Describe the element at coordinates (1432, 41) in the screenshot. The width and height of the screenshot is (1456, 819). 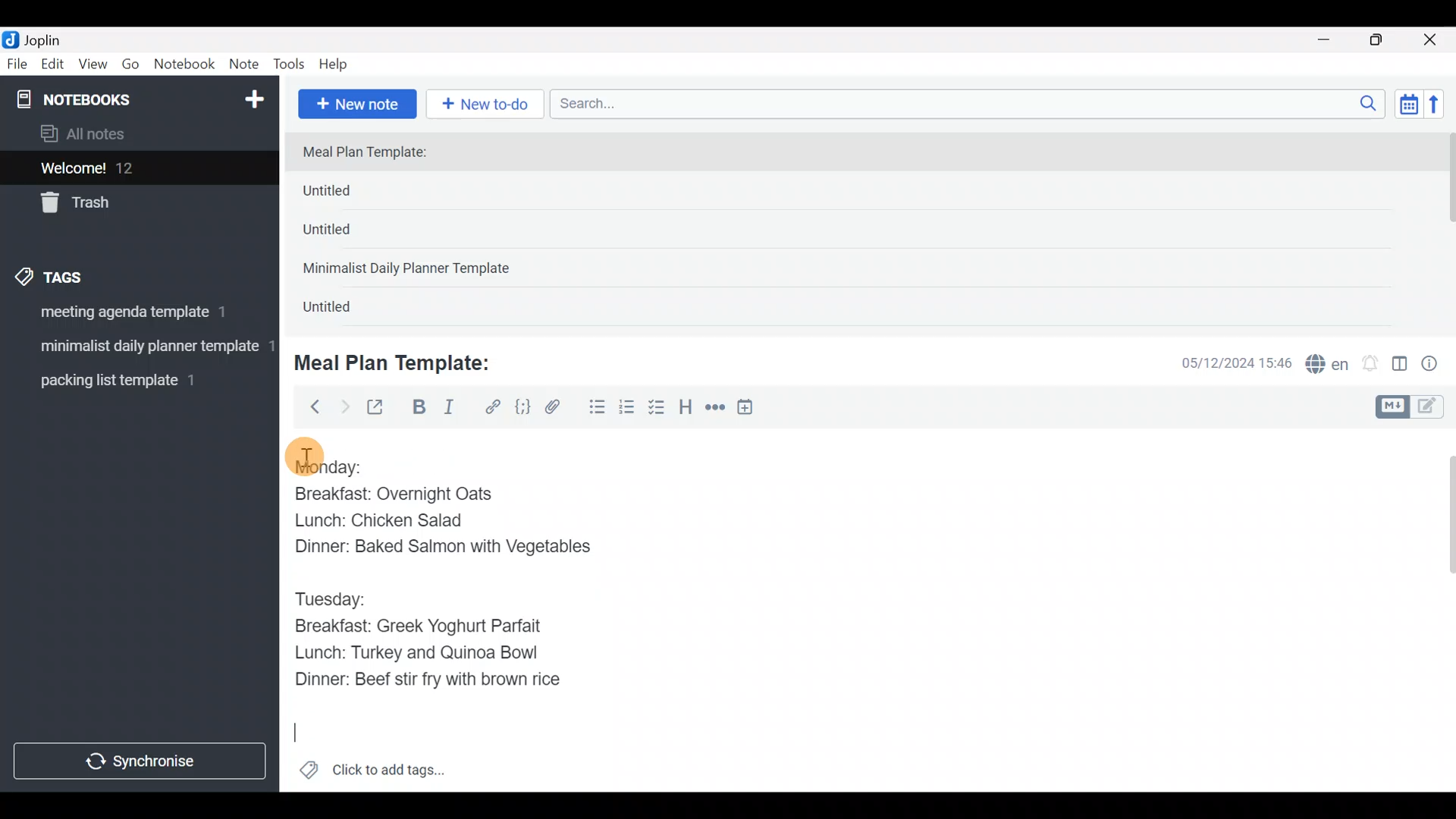
I see `Close` at that location.